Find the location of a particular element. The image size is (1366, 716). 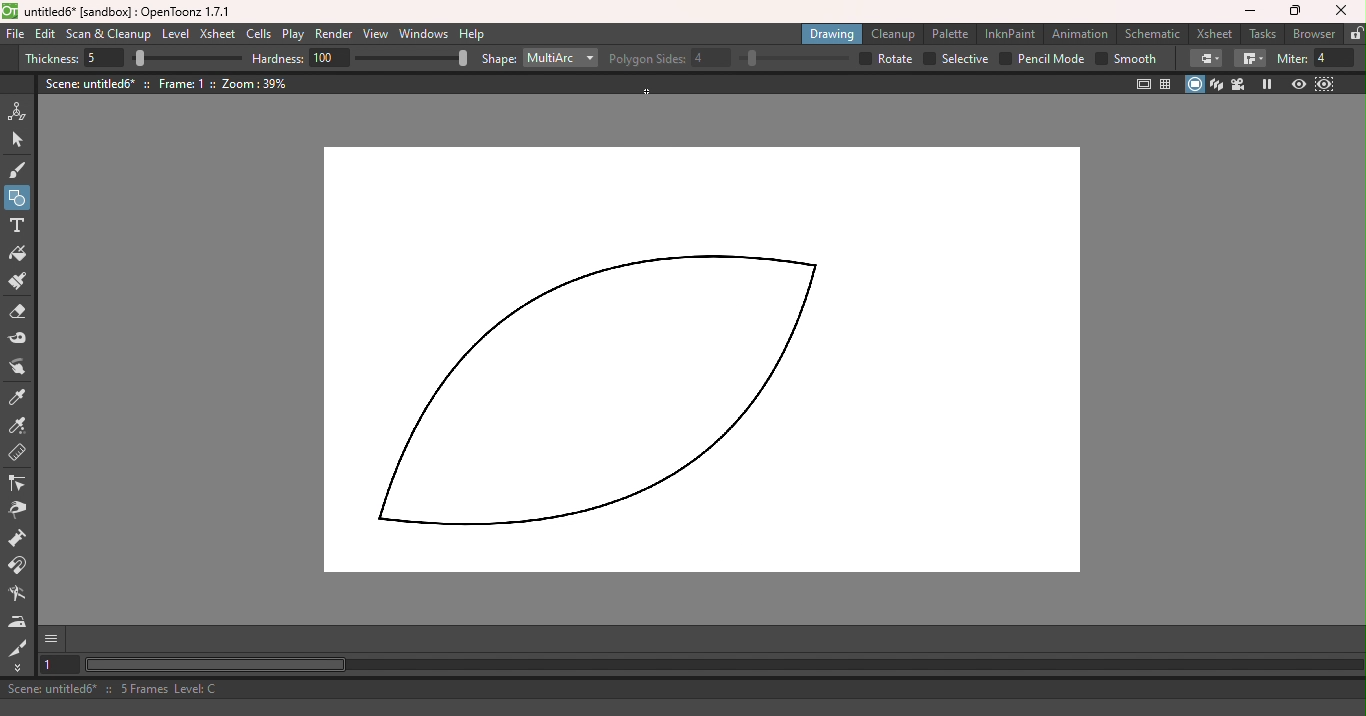

Brush tool is located at coordinates (19, 170).